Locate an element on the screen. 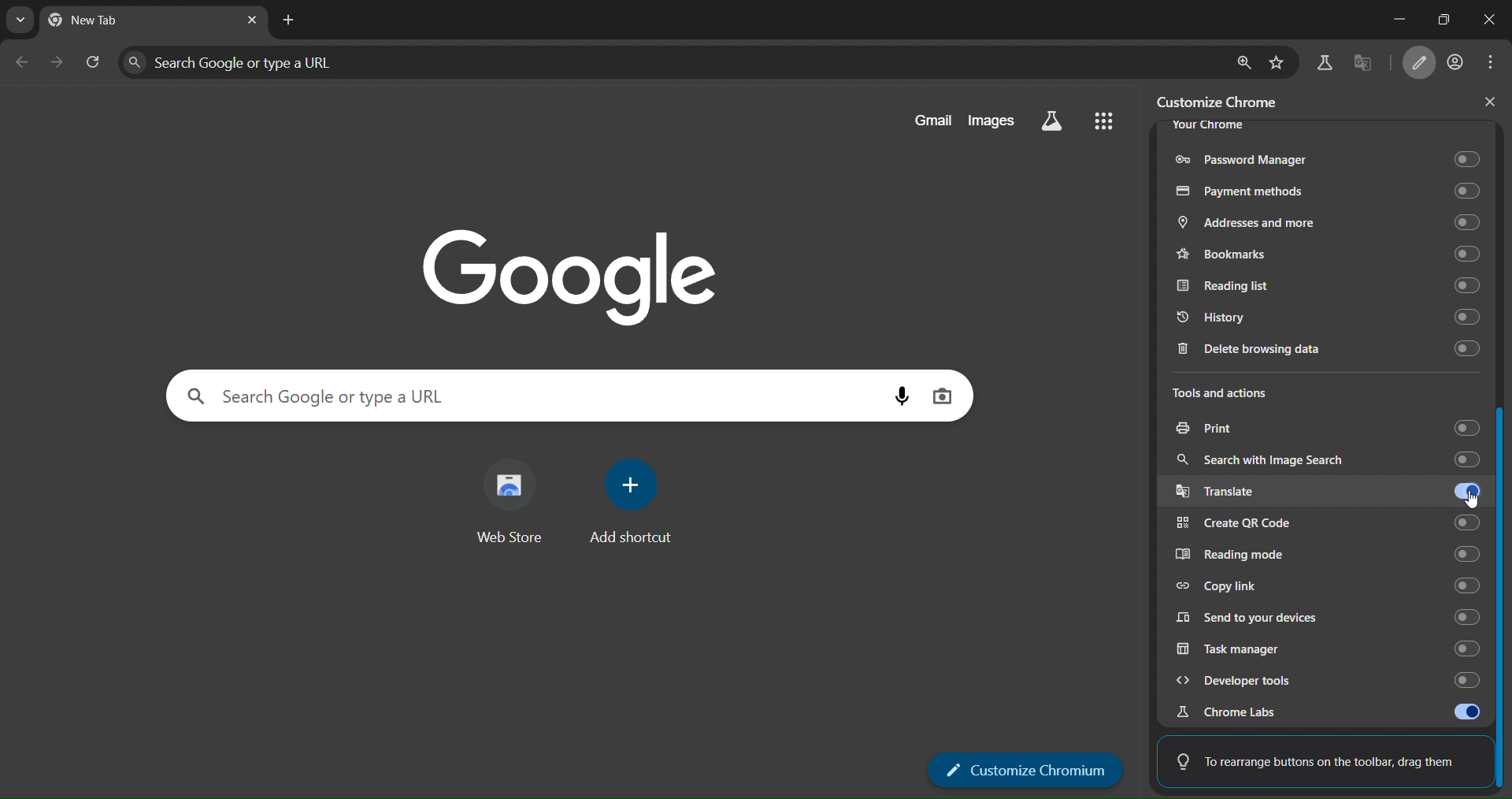  search with image search is located at coordinates (1327, 456).